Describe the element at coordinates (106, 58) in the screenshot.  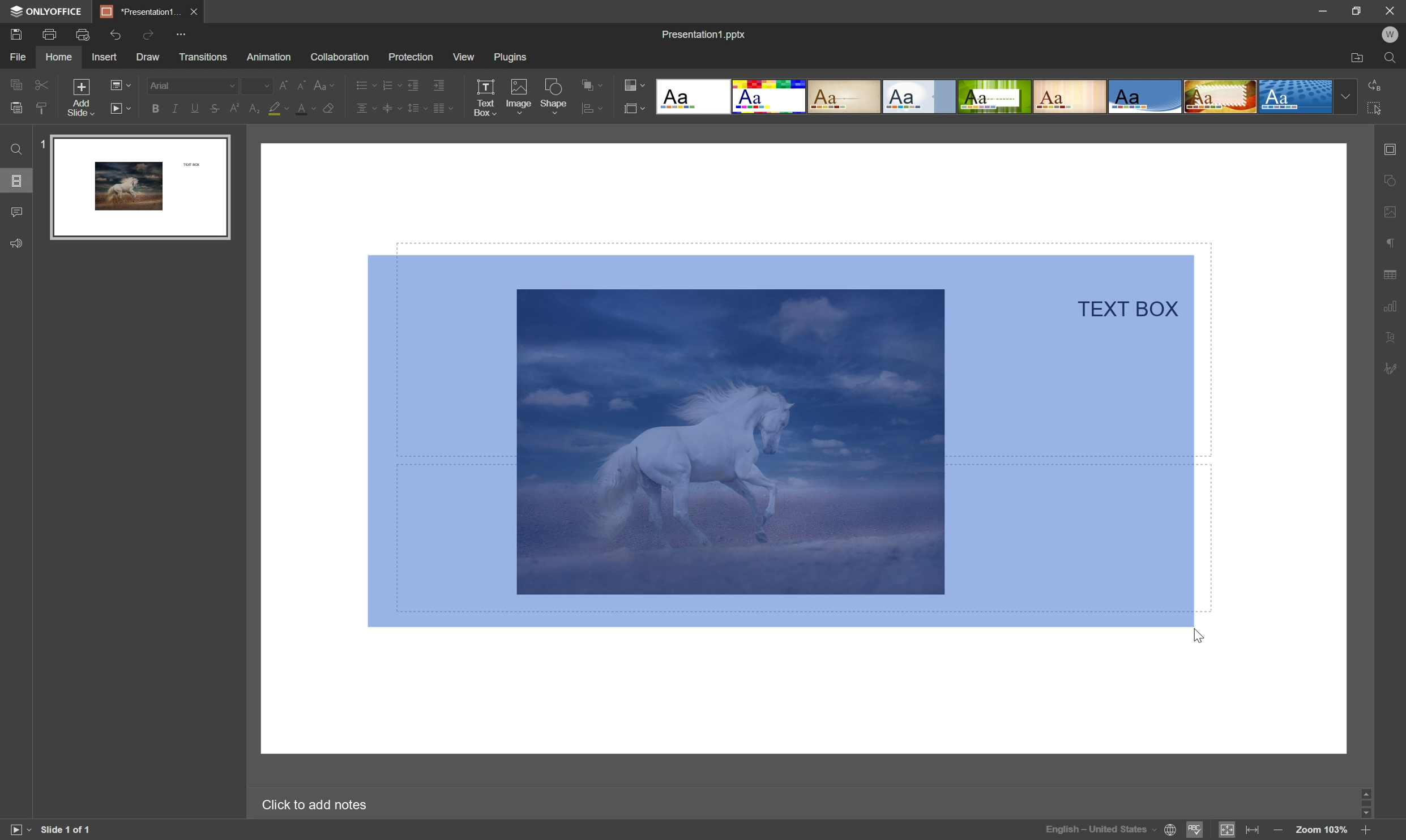
I see `insert` at that location.